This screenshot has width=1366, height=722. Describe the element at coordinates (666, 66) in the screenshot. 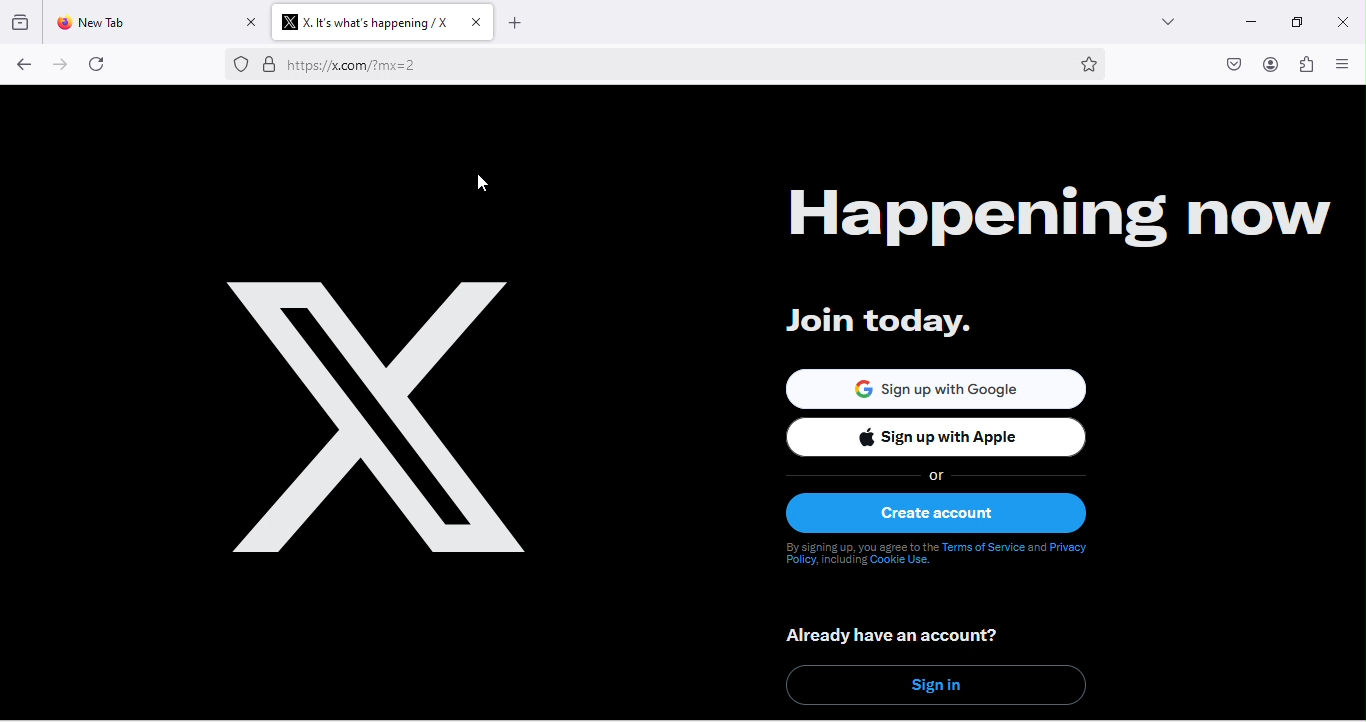

I see `web link` at that location.